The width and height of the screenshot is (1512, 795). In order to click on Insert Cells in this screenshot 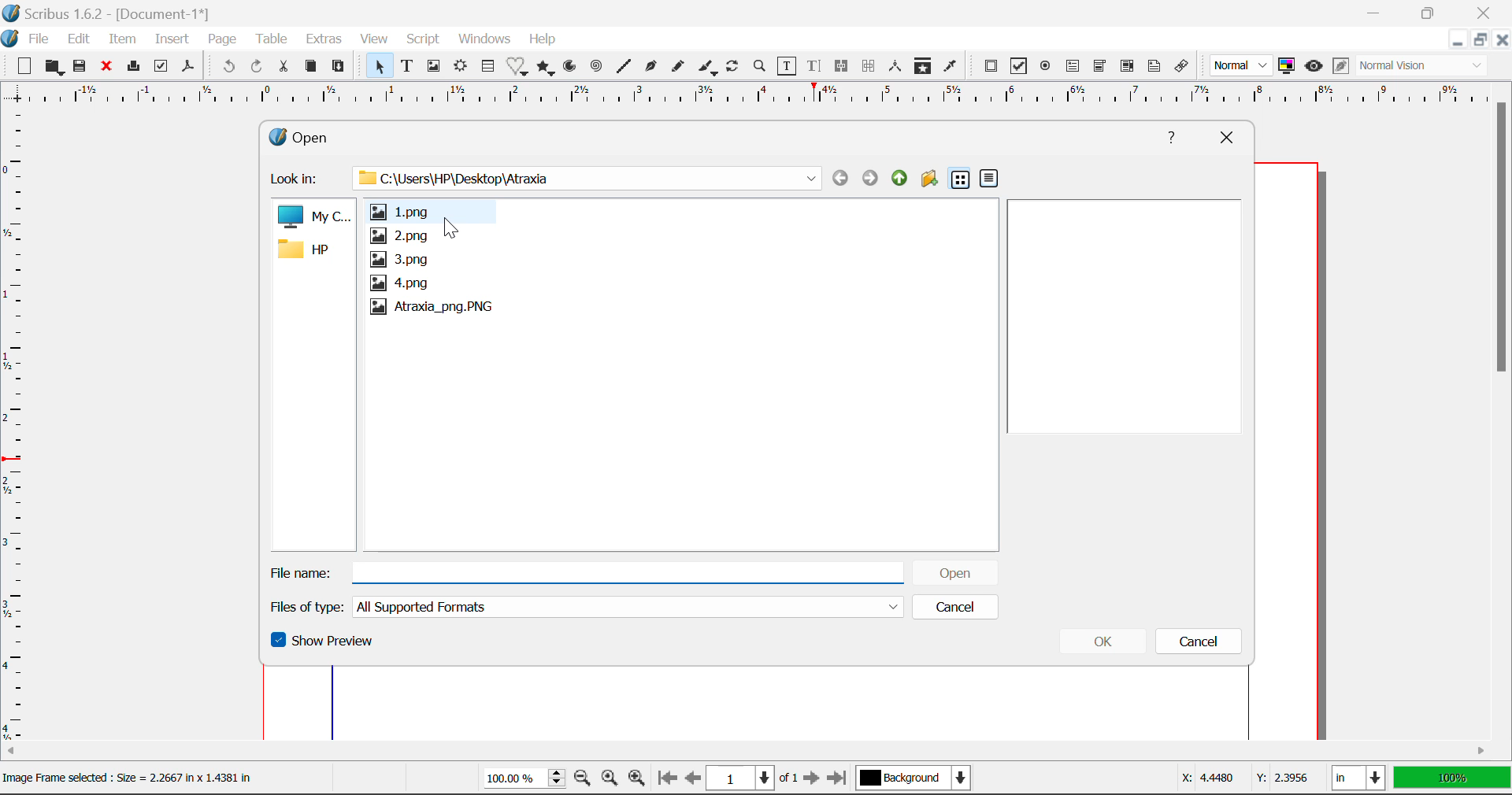, I will do `click(487, 68)`.